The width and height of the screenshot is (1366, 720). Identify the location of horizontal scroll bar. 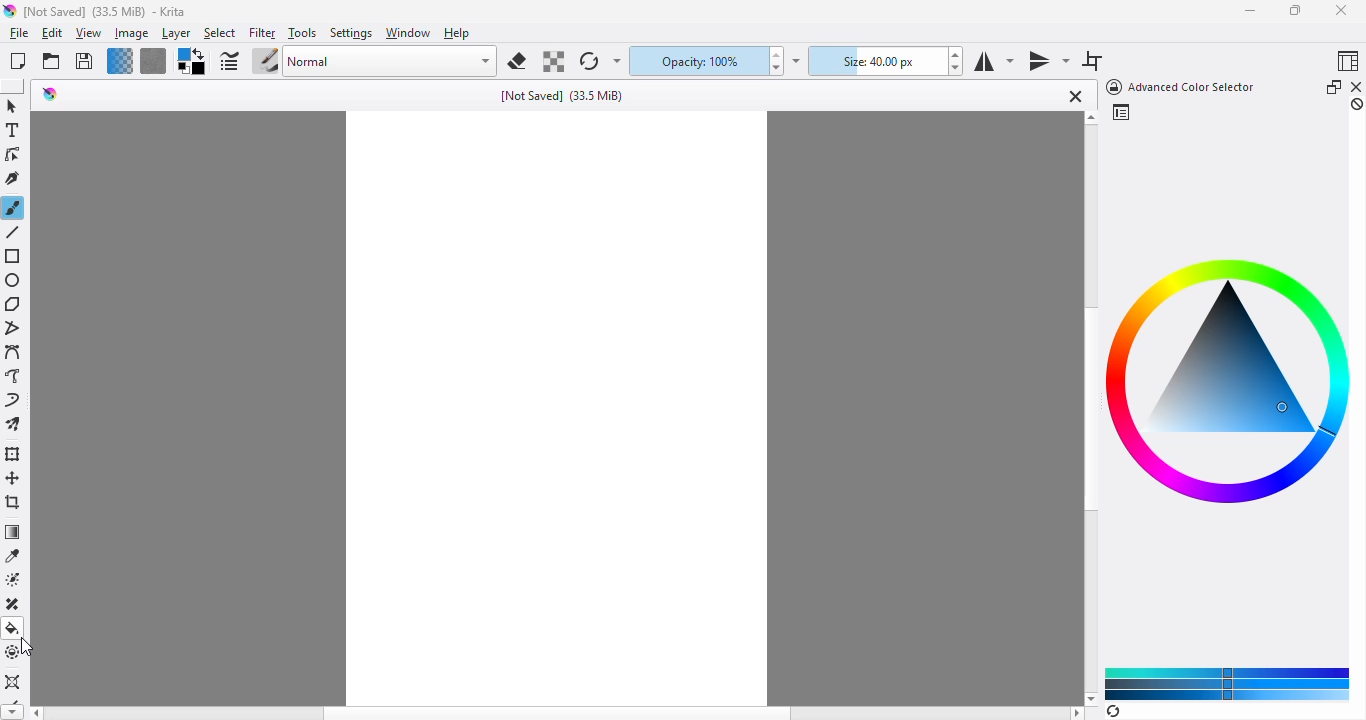
(558, 713).